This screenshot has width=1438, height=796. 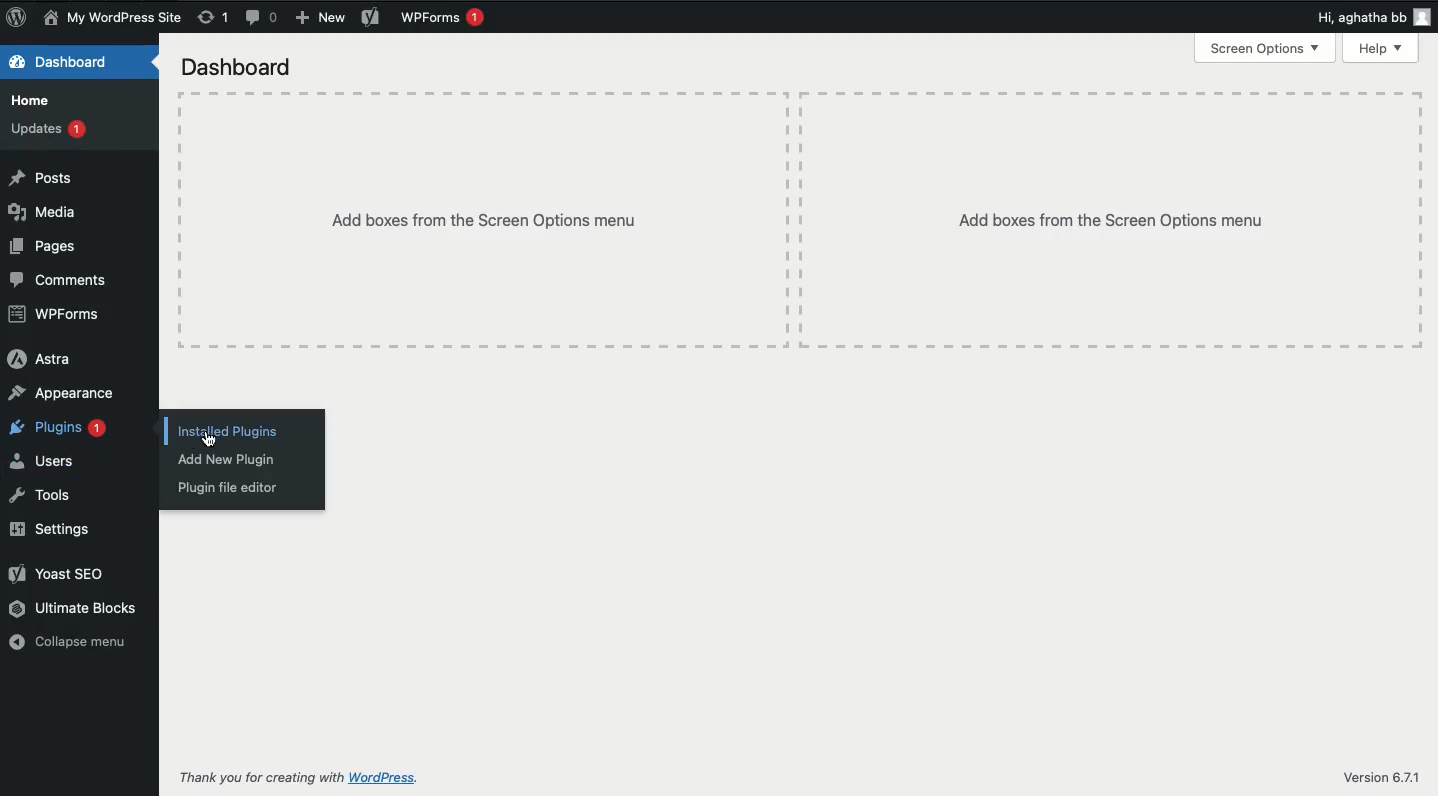 What do you see at coordinates (75, 641) in the screenshot?
I see `Collapse menu` at bounding box center [75, 641].